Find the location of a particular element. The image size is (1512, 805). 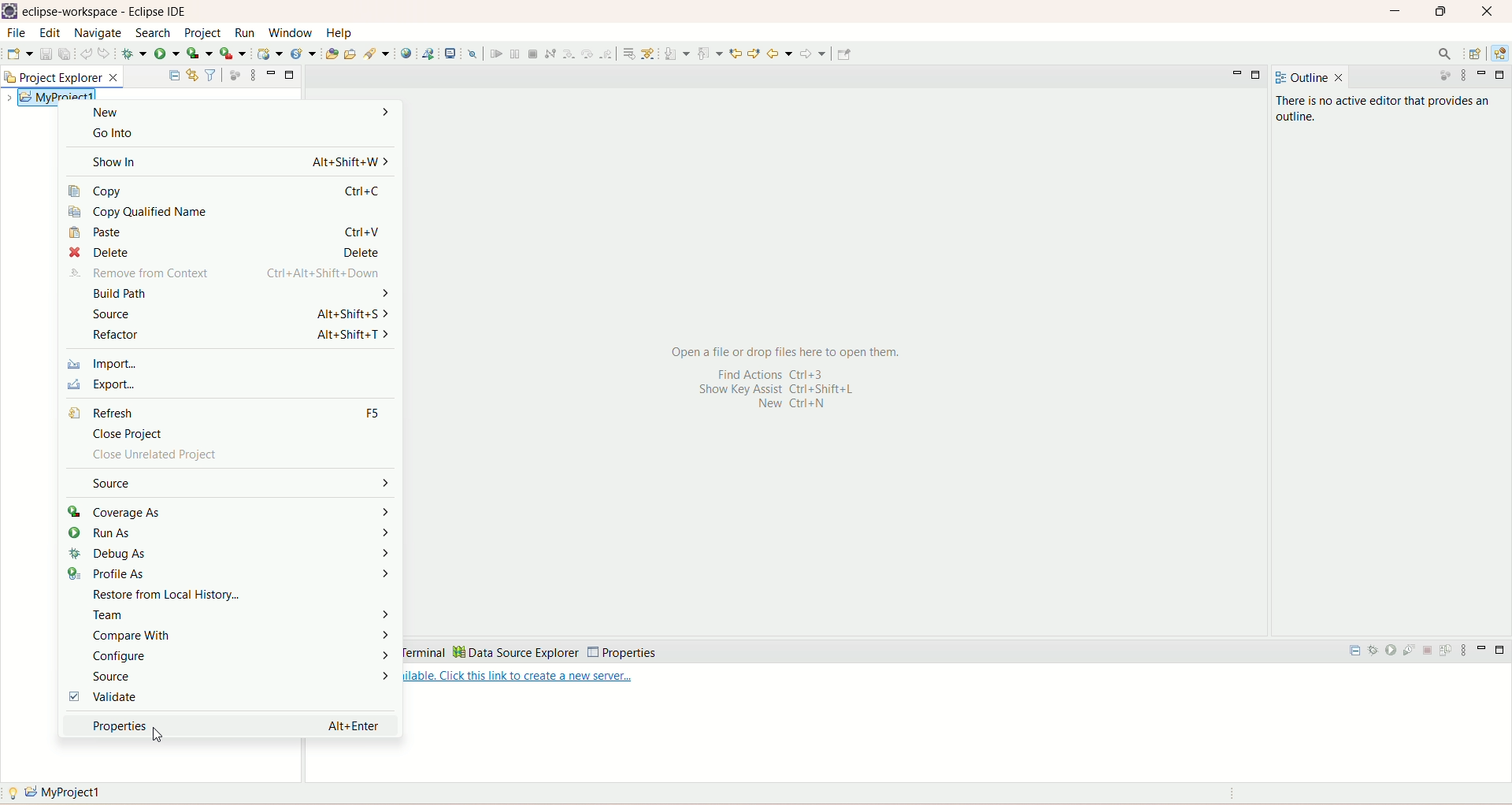

previous edit location is located at coordinates (754, 54).